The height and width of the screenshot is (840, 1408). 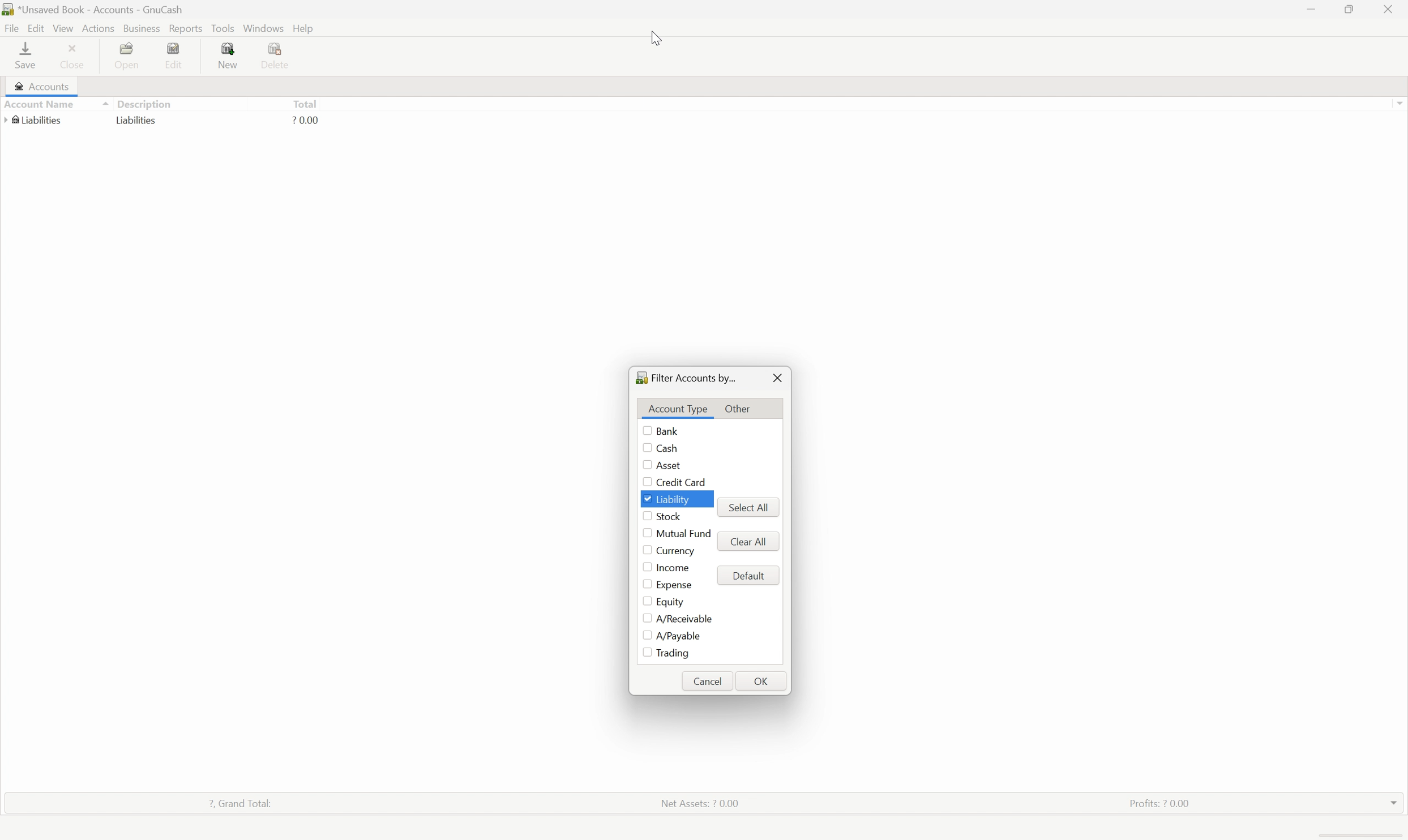 What do you see at coordinates (671, 465) in the screenshot?
I see `Asset` at bounding box center [671, 465].